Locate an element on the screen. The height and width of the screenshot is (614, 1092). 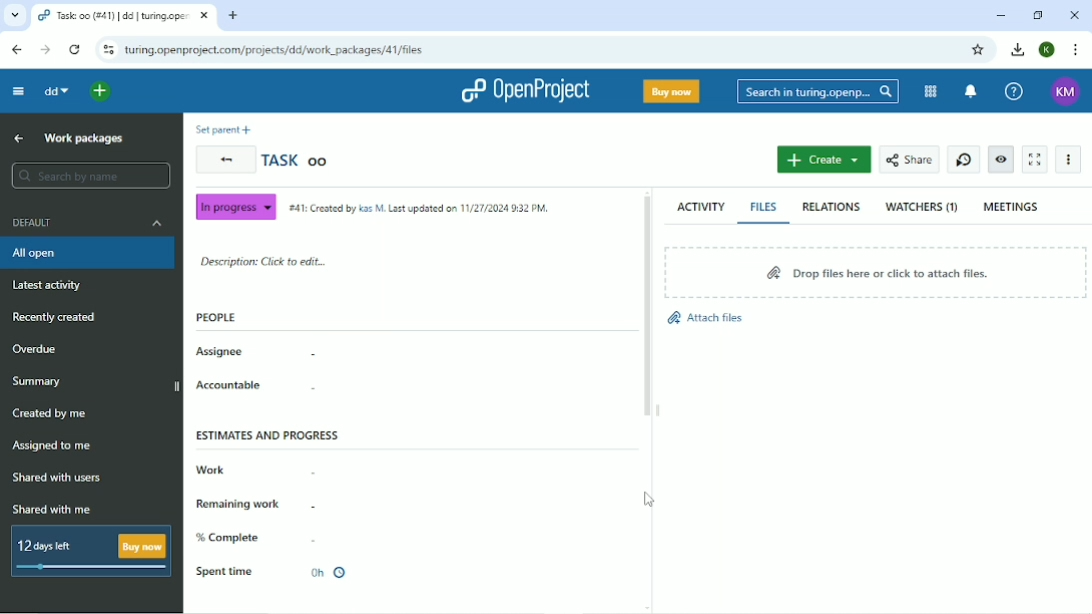
Recently created is located at coordinates (59, 318).